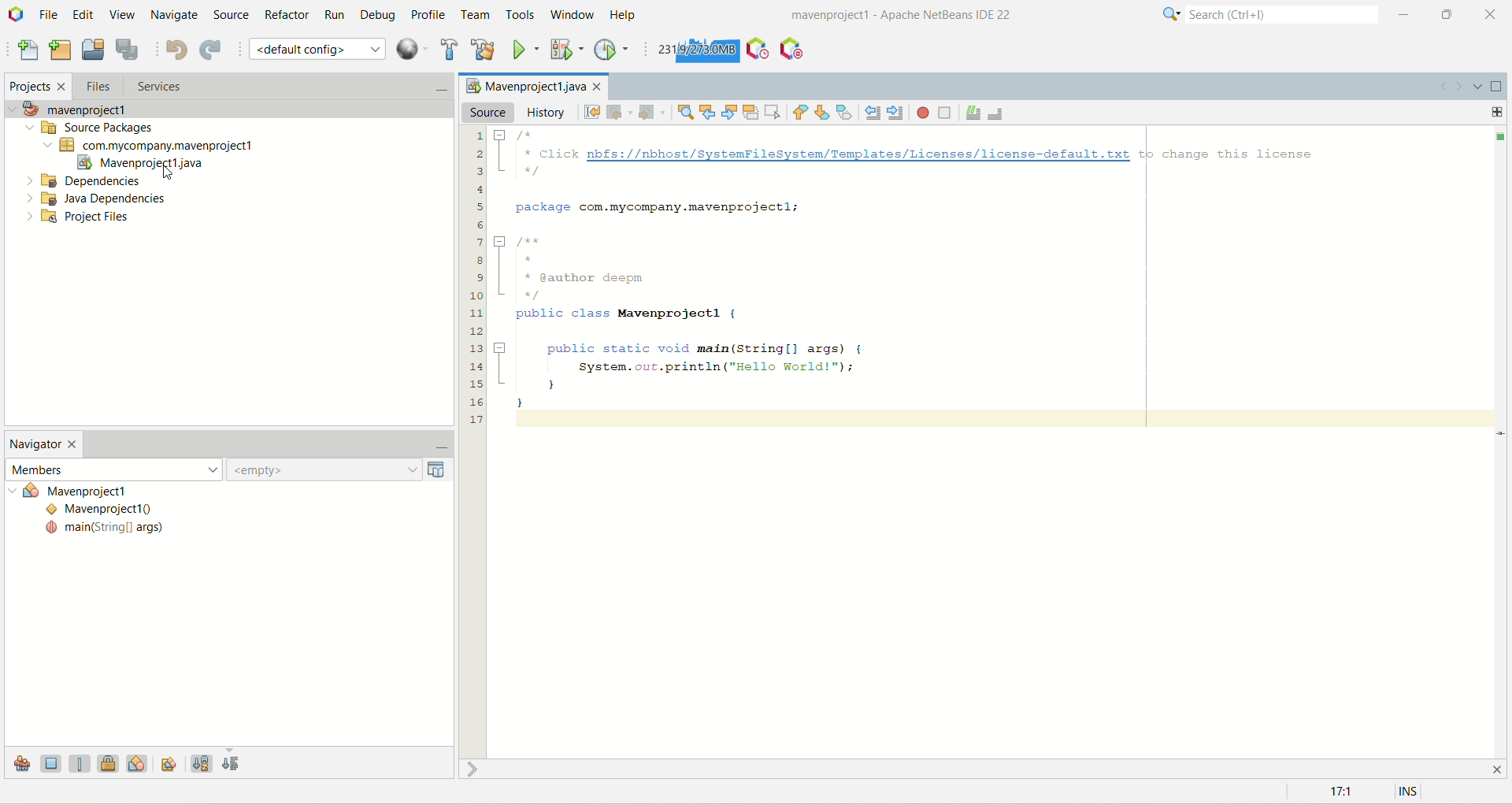  Describe the element at coordinates (521, 16) in the screenshot. I see `tools` at that location.